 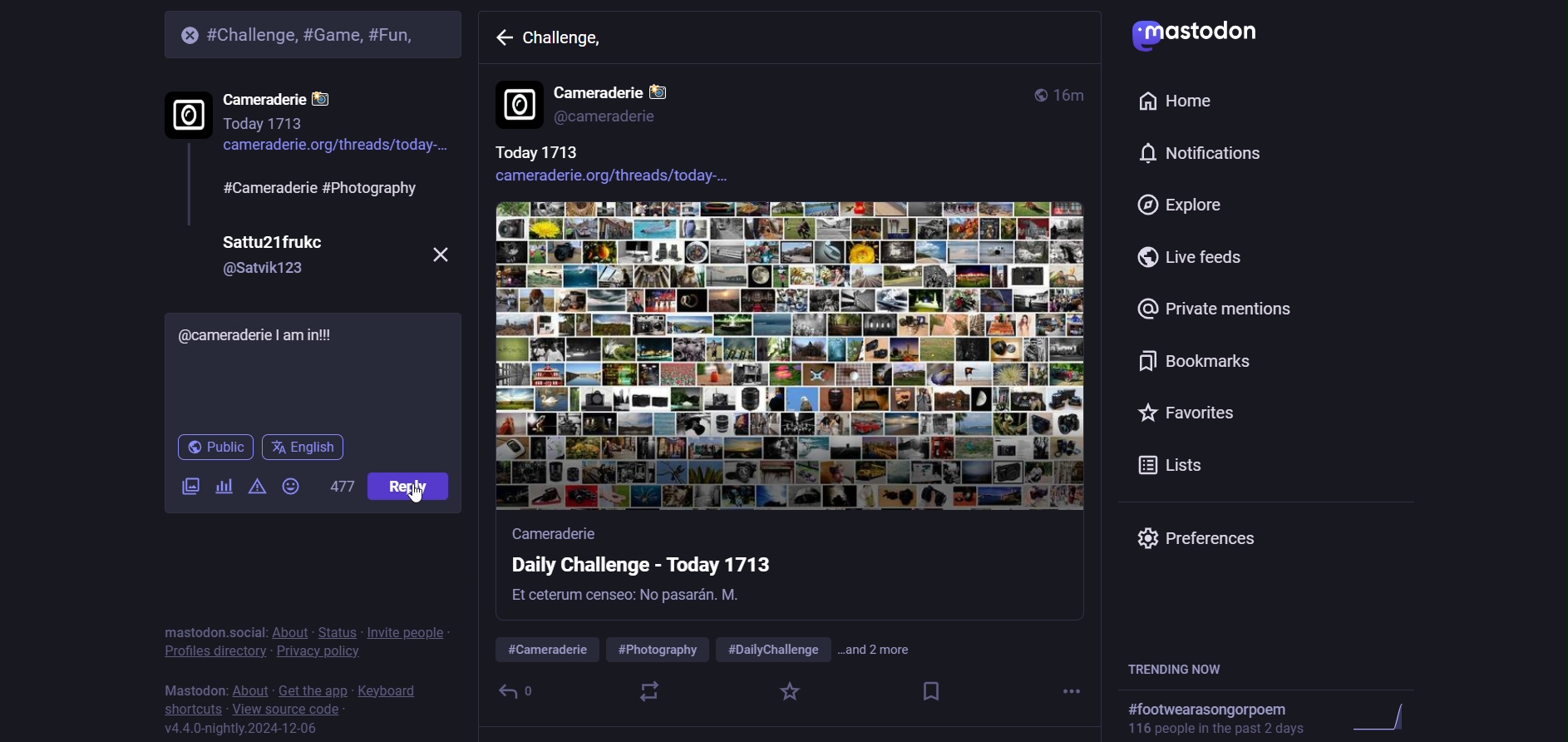 I want to click on notification, so click(x=1196, y=154).